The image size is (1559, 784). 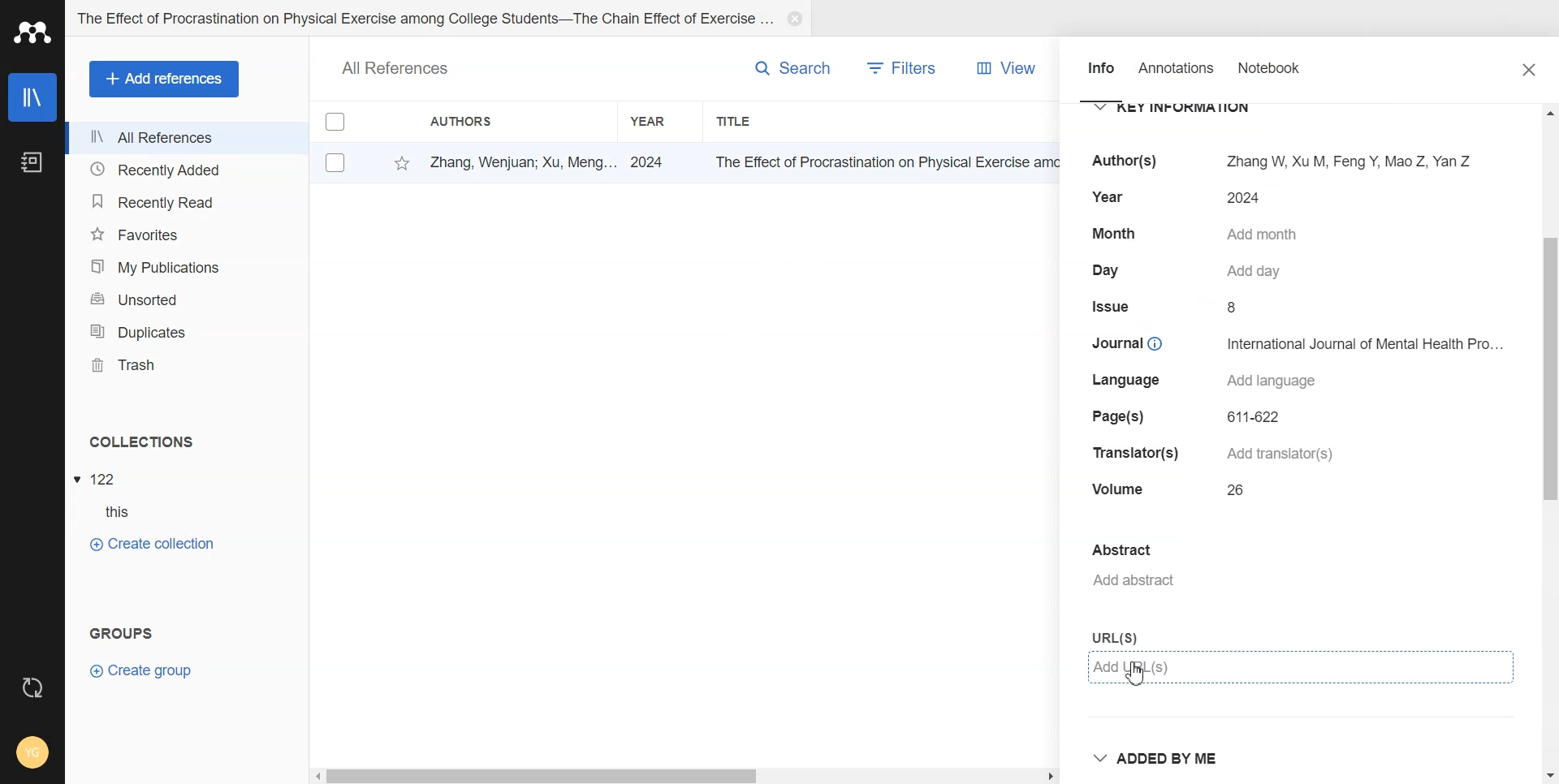 I want to click on Notebook, so click(x=1282, y=75).